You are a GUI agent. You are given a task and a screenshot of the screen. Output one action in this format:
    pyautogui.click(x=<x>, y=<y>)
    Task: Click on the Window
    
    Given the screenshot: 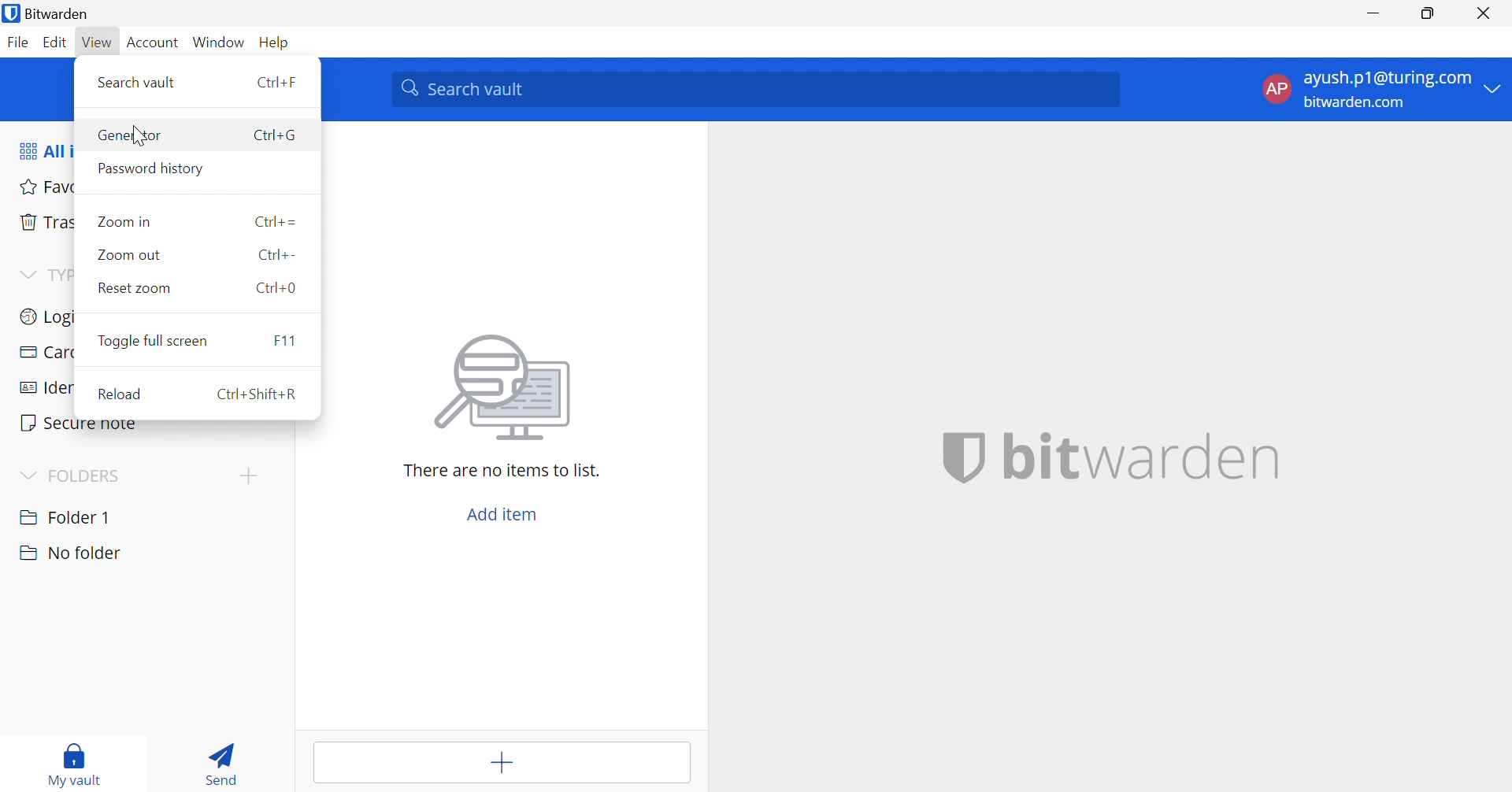 What is the action you would take?
    pyautogui.click(x=219, y=43)
    